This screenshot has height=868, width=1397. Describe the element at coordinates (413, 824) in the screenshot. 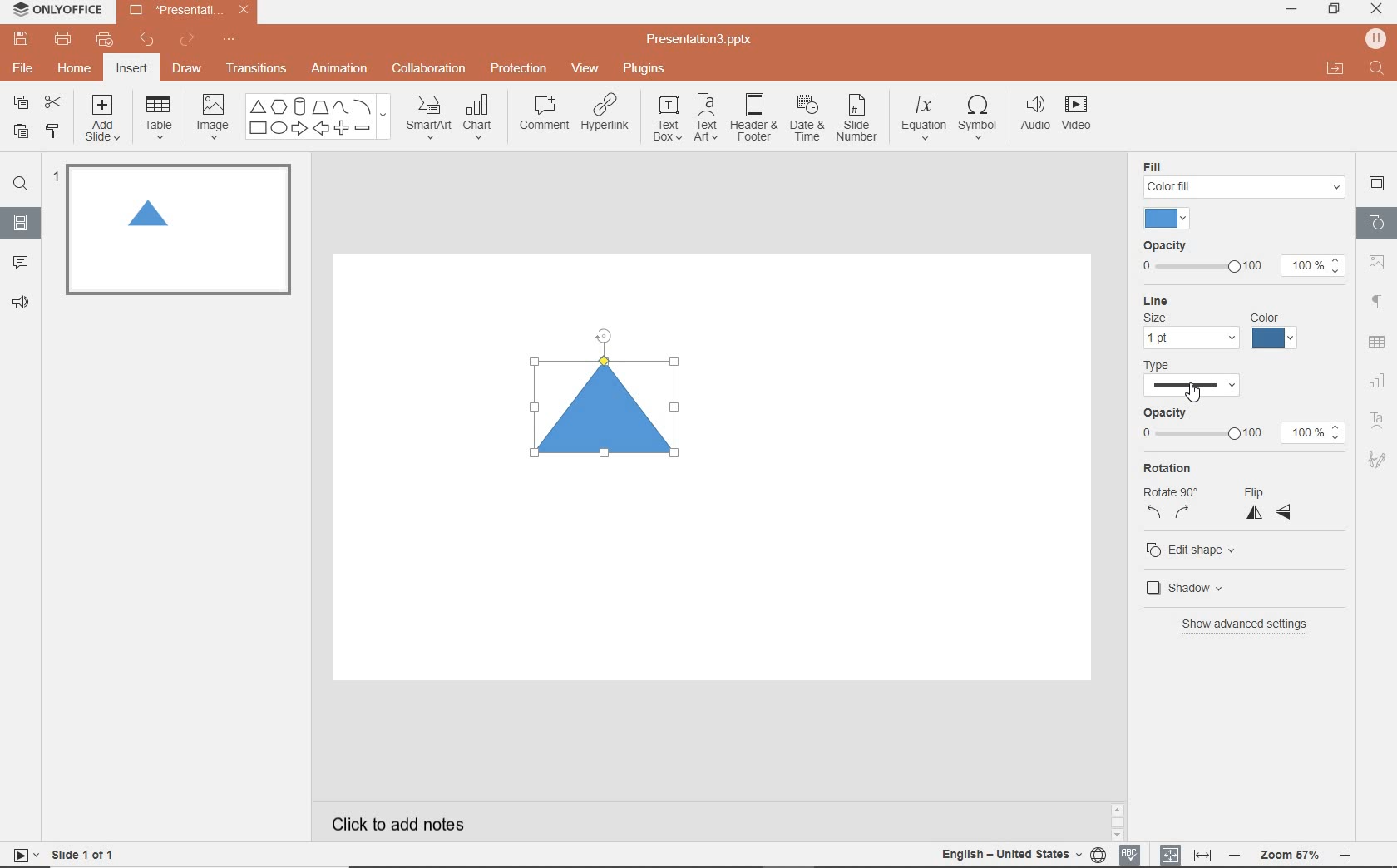

I see `CLICK TO ADD NOTES` at that location.